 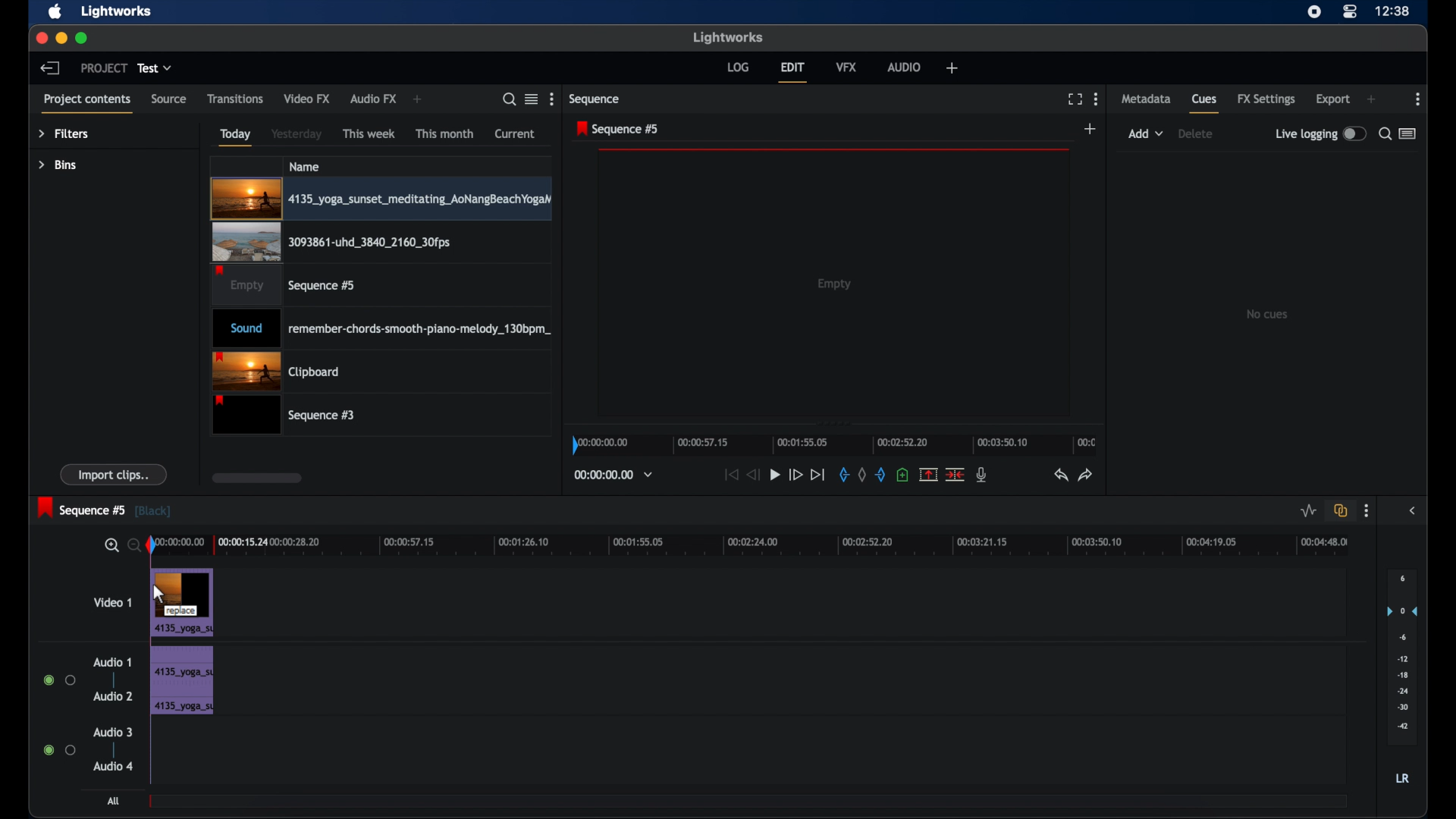 I want to click on import clips, so click(x=113, y=475).